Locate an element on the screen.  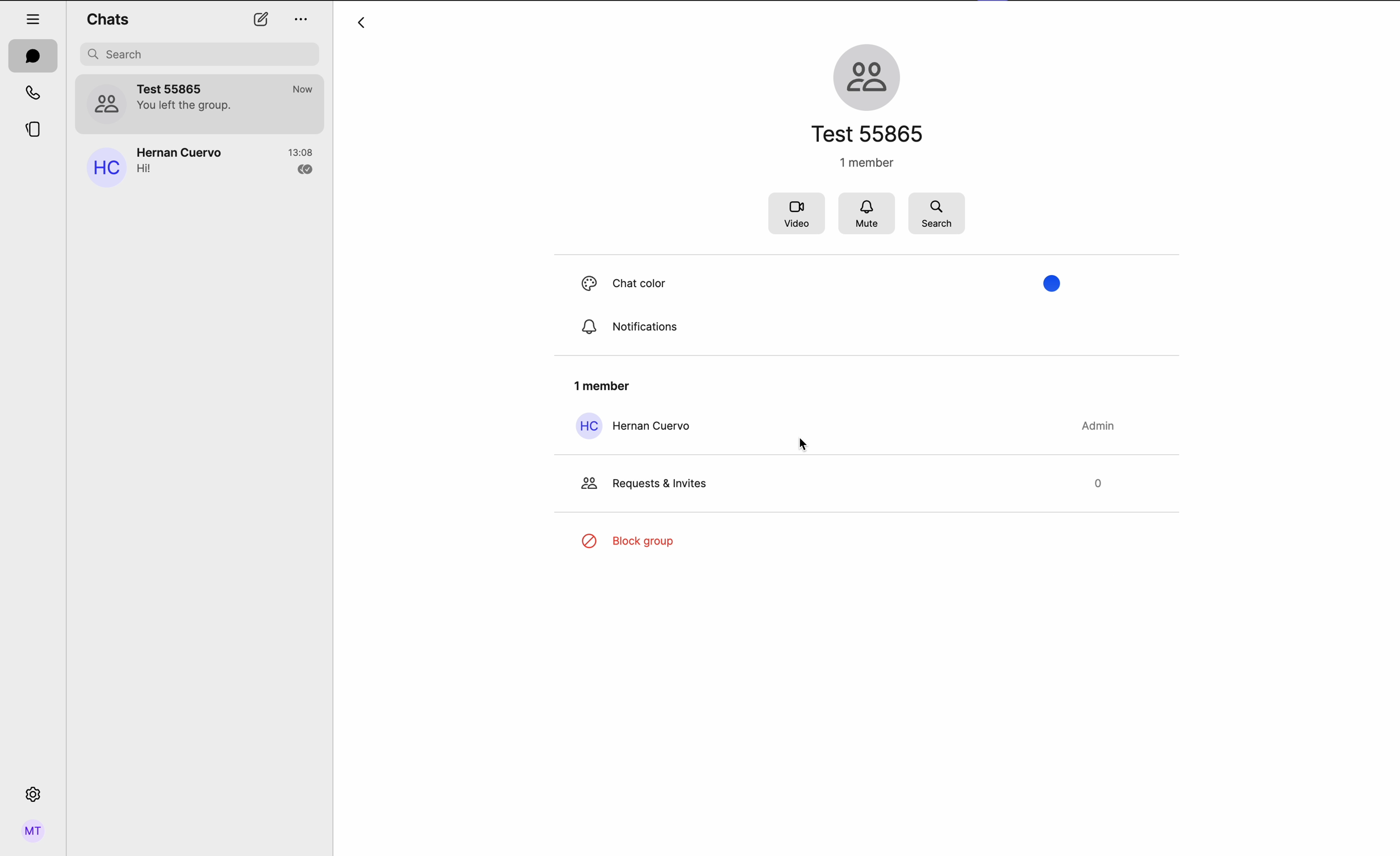
settings is located at coordinates (34, 792).